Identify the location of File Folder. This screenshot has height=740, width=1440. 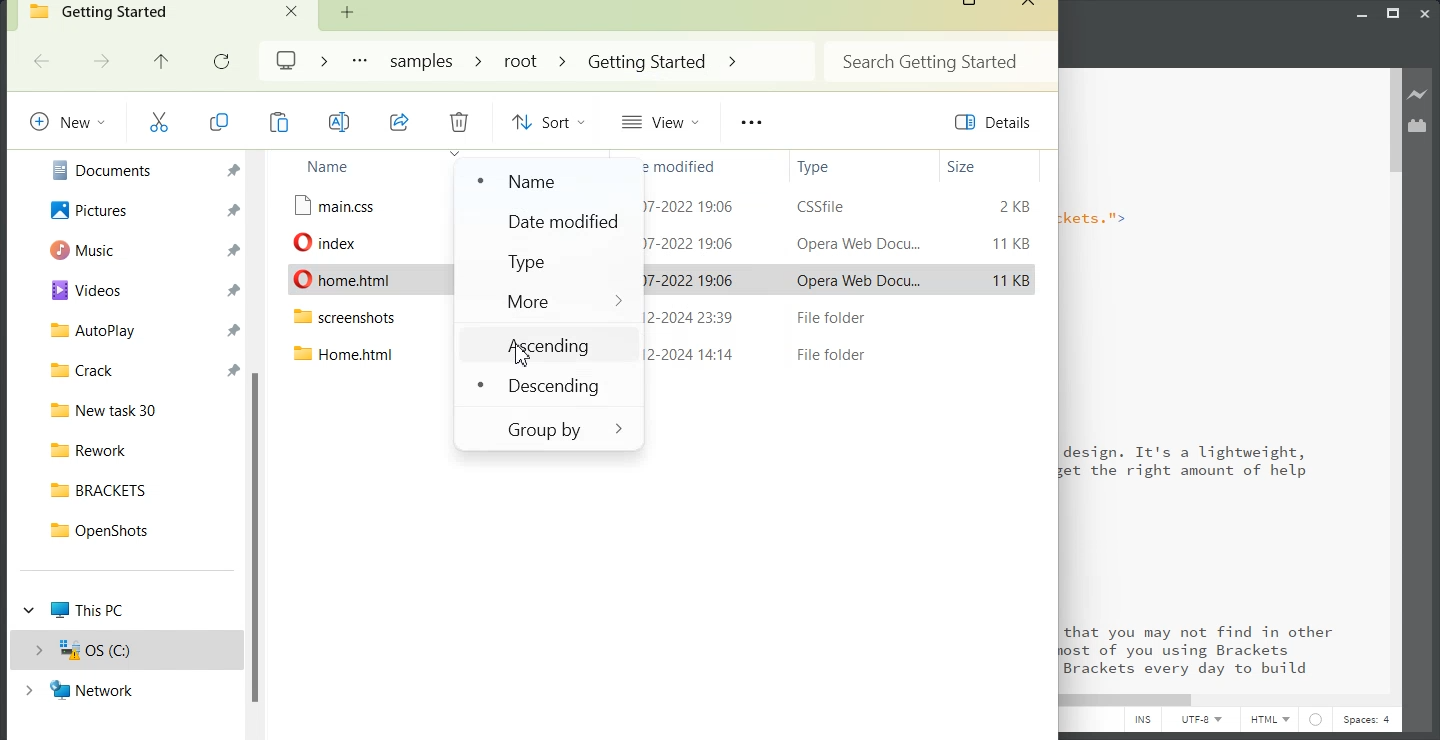
(825, 354).